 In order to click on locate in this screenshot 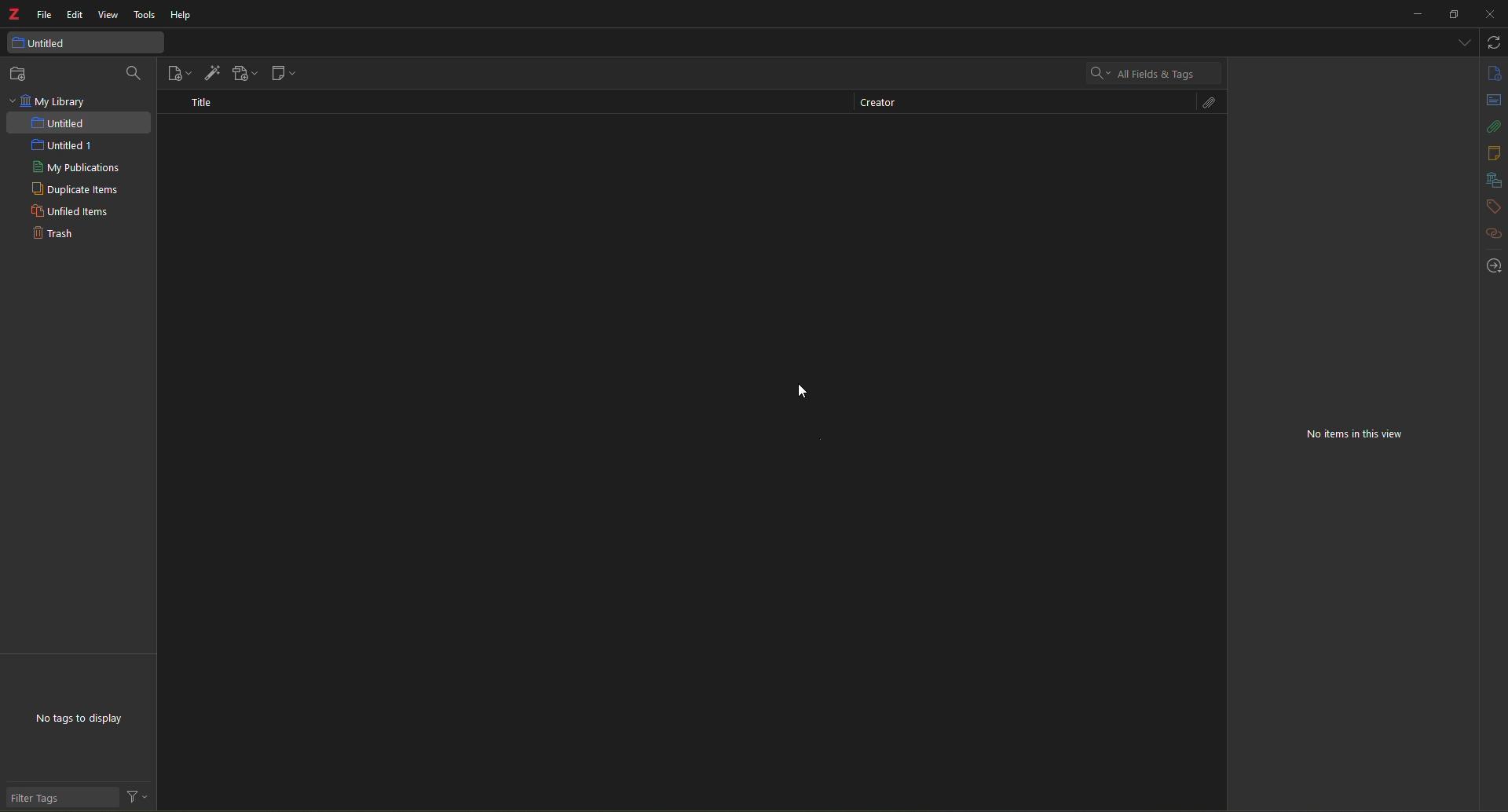, I will do `click(1494, 265)`.